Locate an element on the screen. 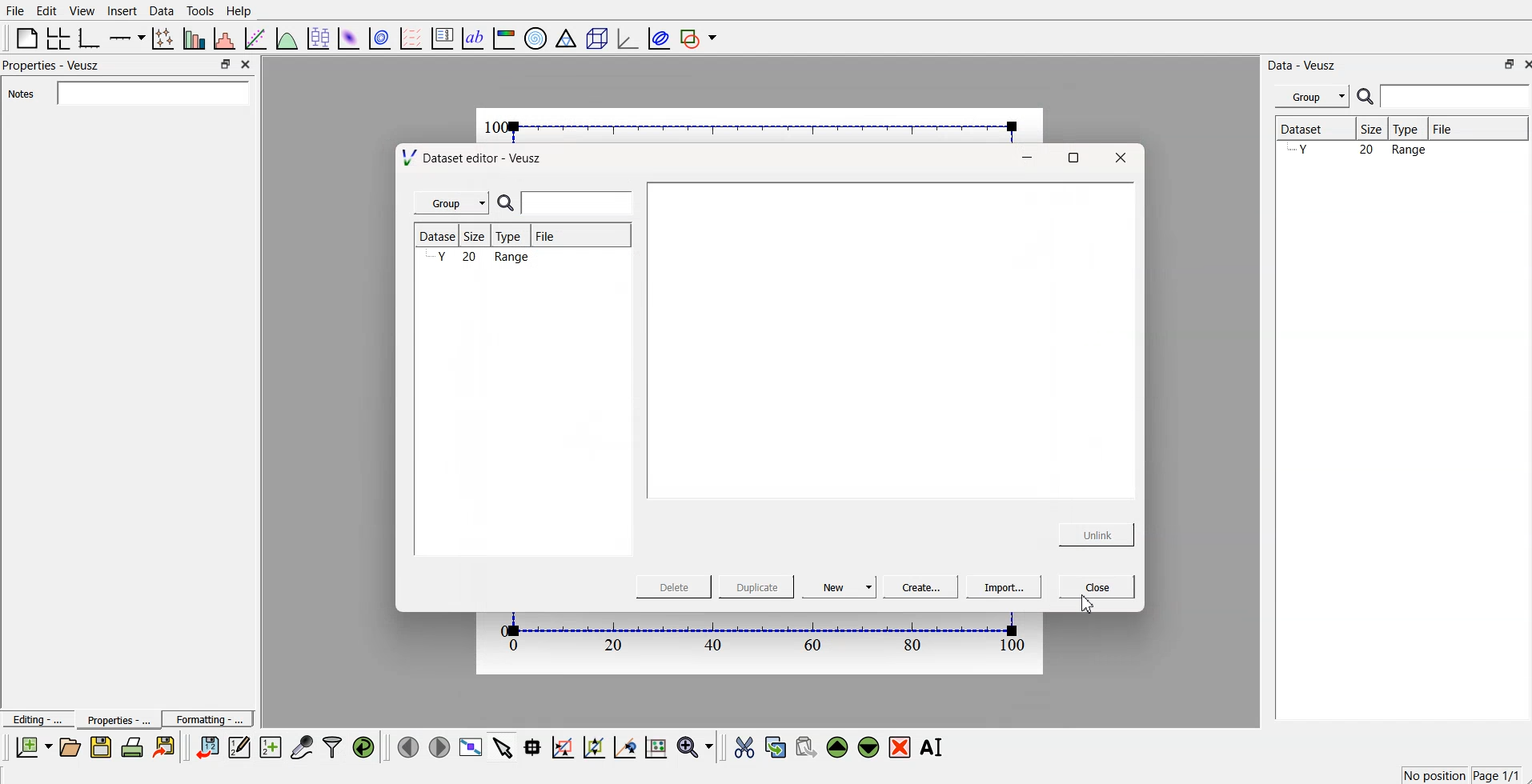 This screenshot has width=1532, height=784. Import is located at coordinates (1003, 589).